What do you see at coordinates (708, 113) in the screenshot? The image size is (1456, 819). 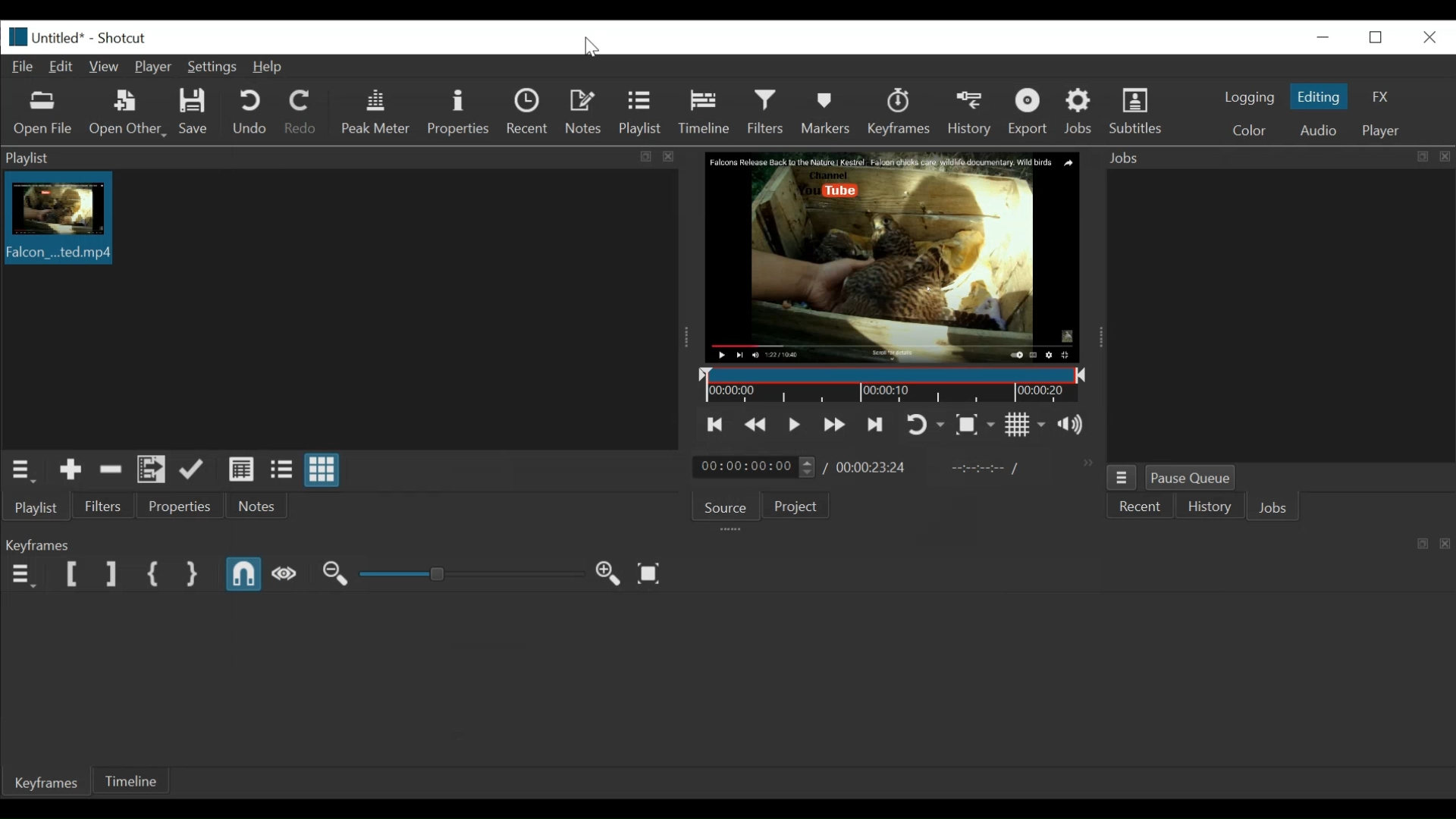 I see `Timeline` at bounding box center [708, 113].